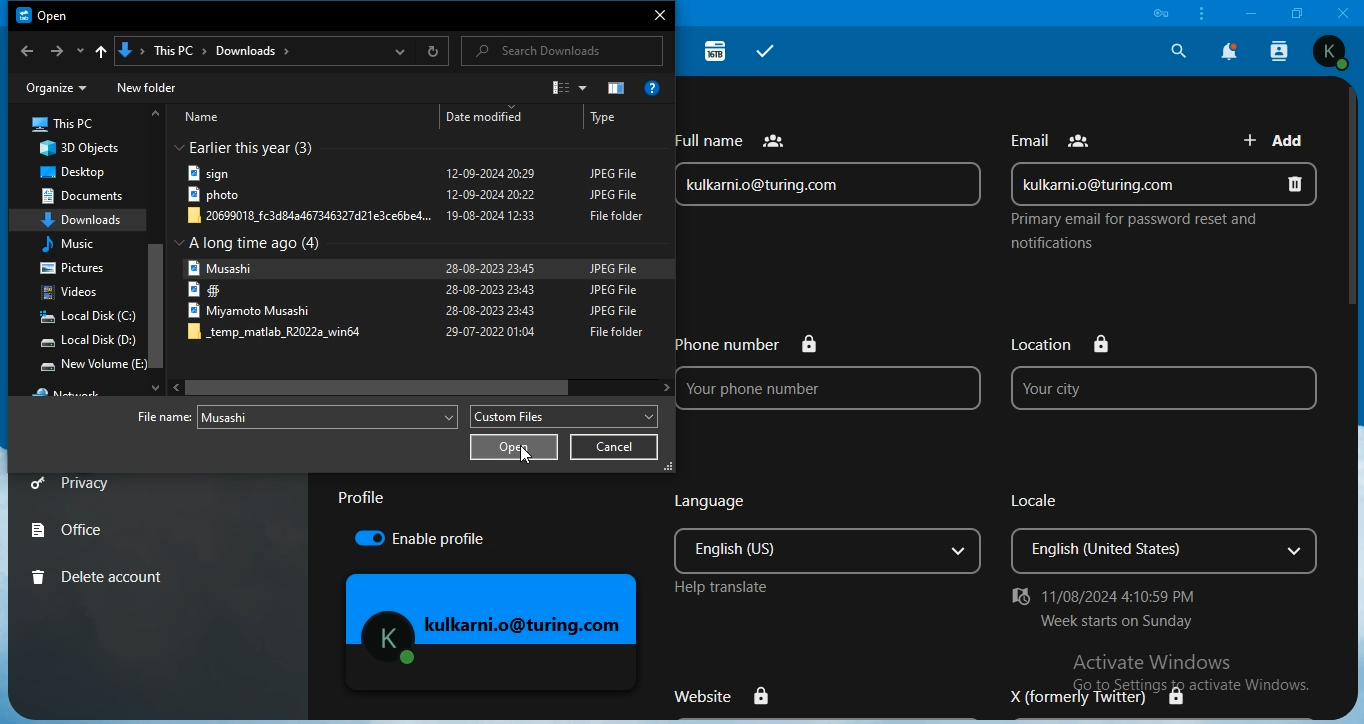 The width and height of the screenshot is (1364, 724). I want to click on Filename, so click(162, 416).